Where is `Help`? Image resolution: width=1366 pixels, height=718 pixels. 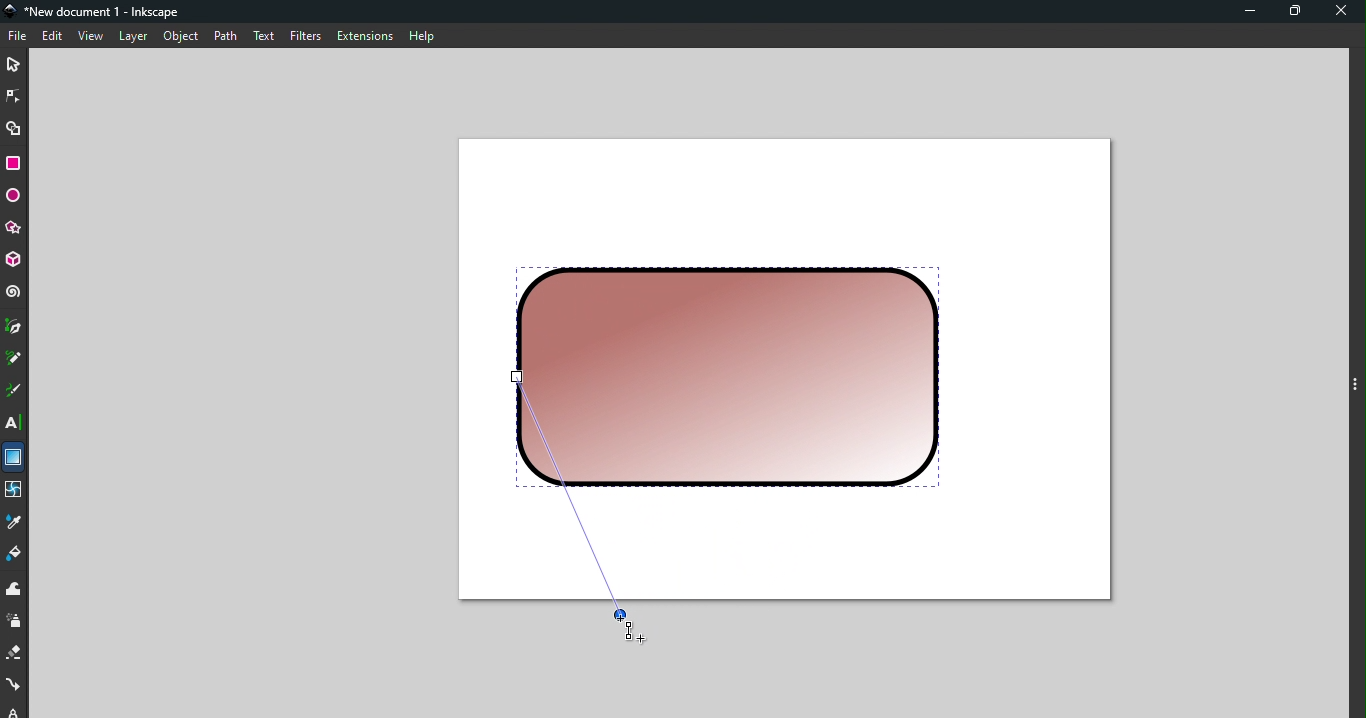
Help is located at coordinates (421, 33).